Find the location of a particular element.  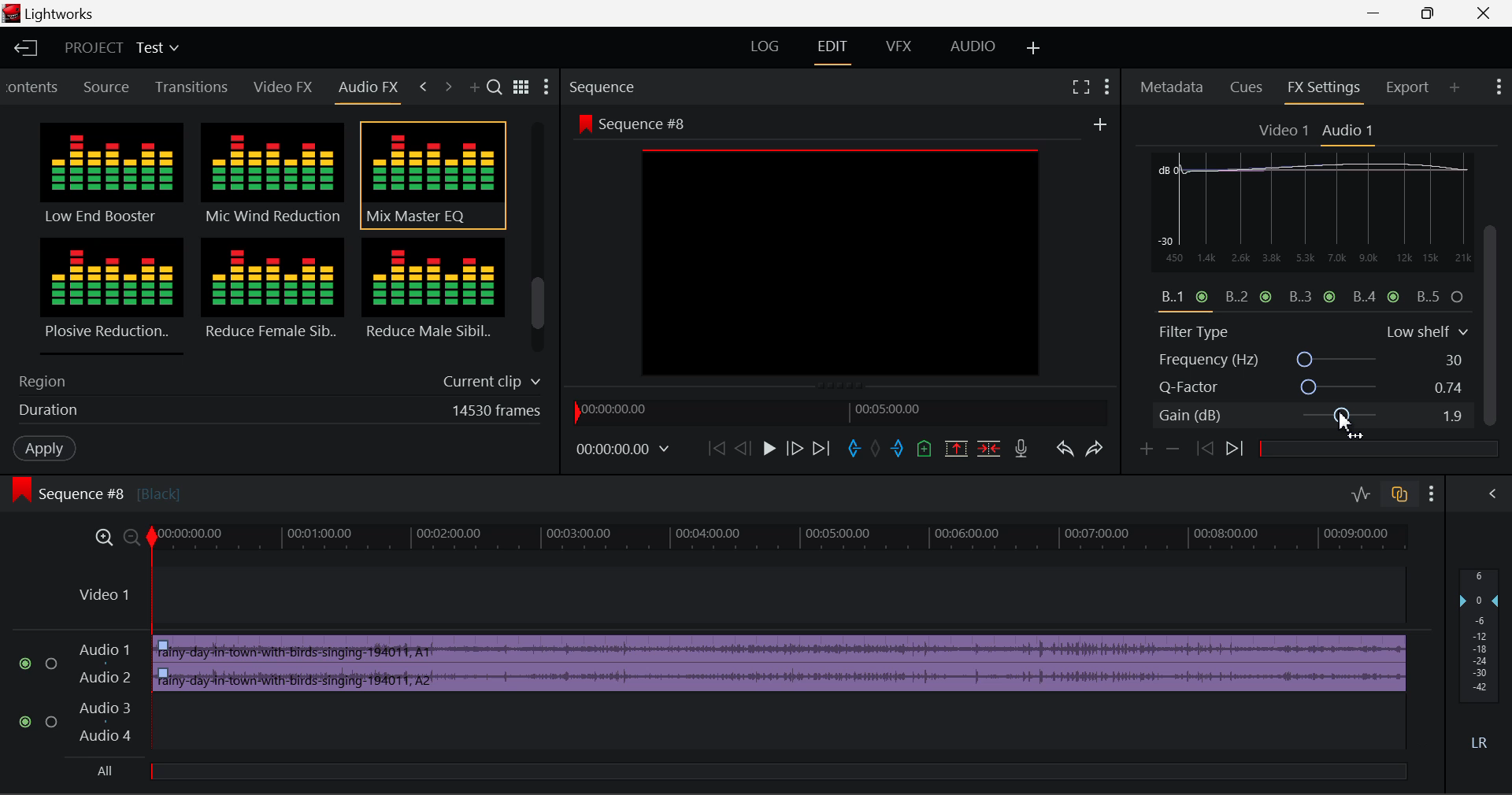

Audio 1 Settings is located at coordinates (1350, 131).